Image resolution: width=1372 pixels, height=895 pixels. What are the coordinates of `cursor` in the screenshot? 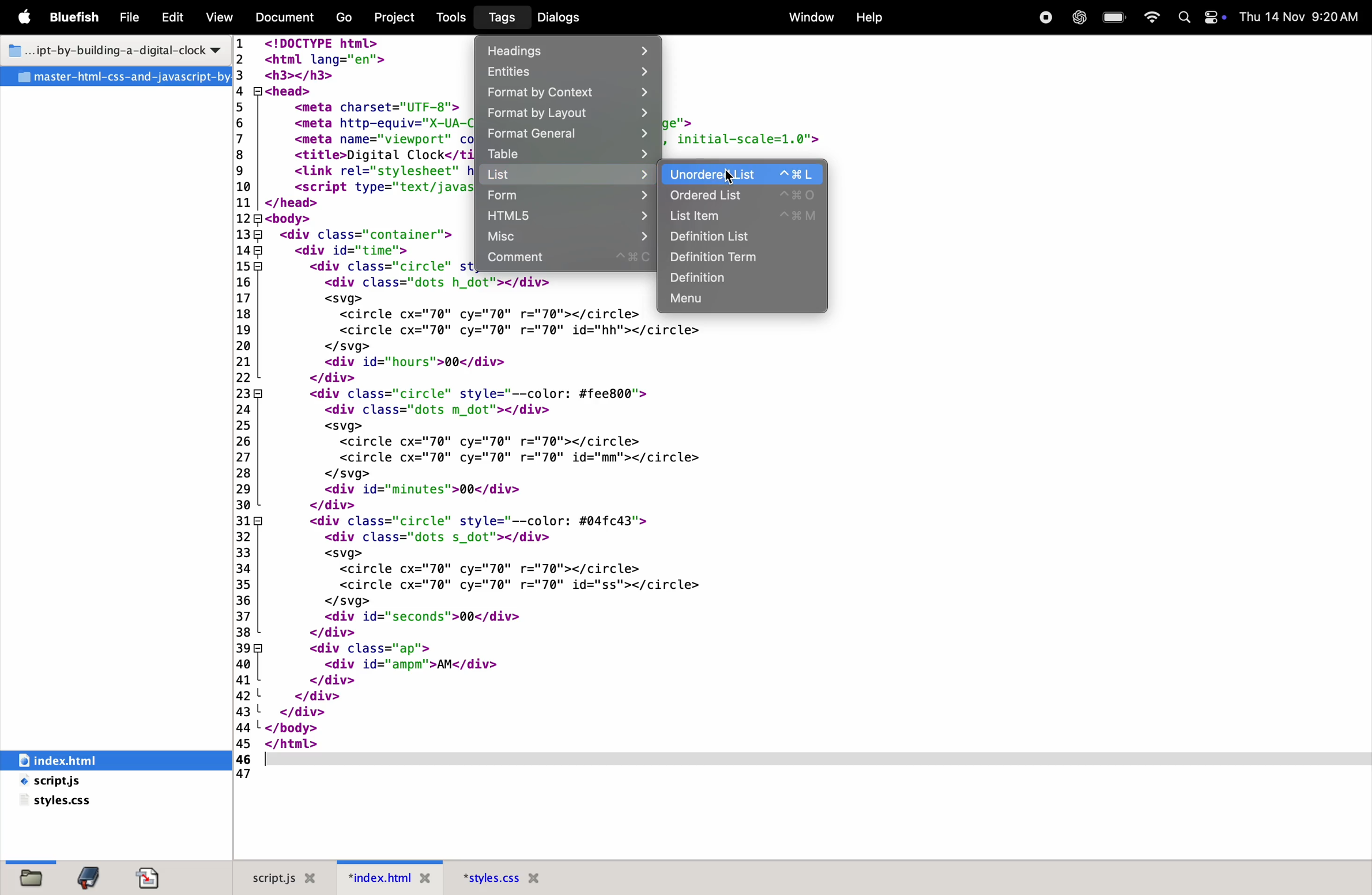 It's located at (732, 171).